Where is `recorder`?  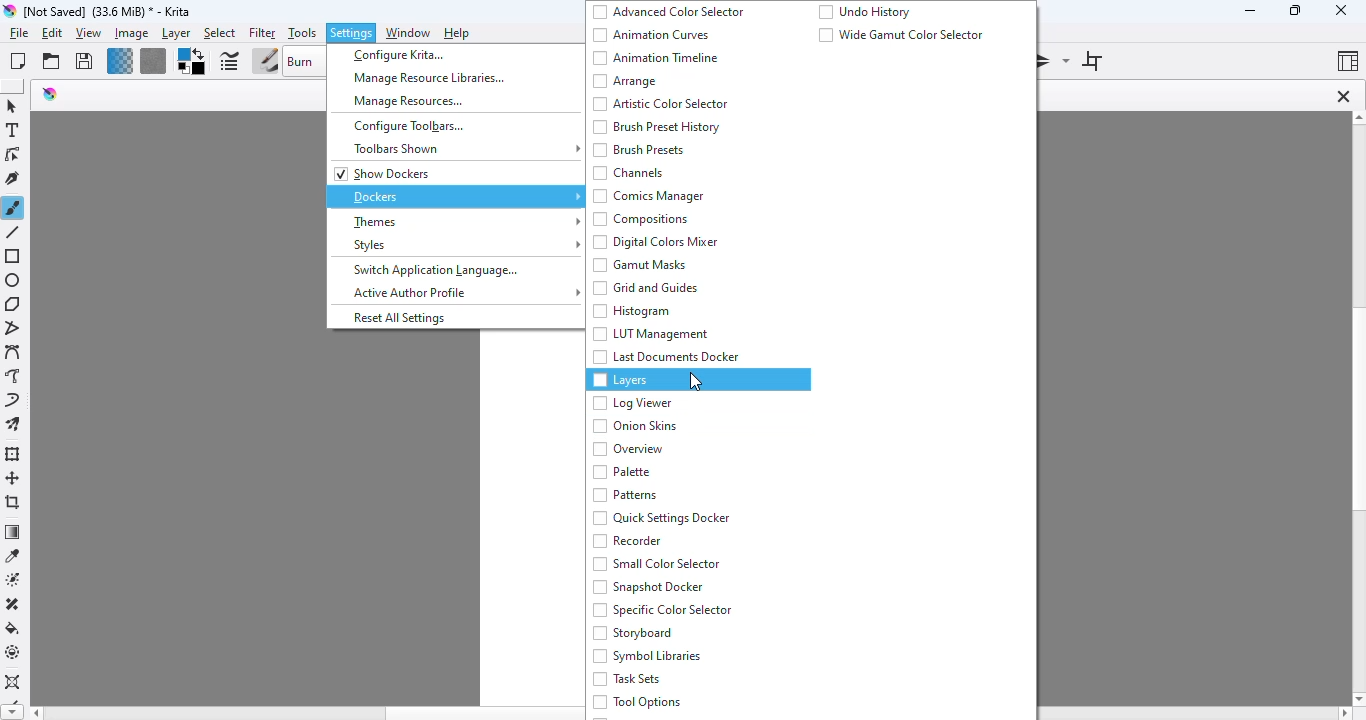 recorder is located at coordinates (629, 541).